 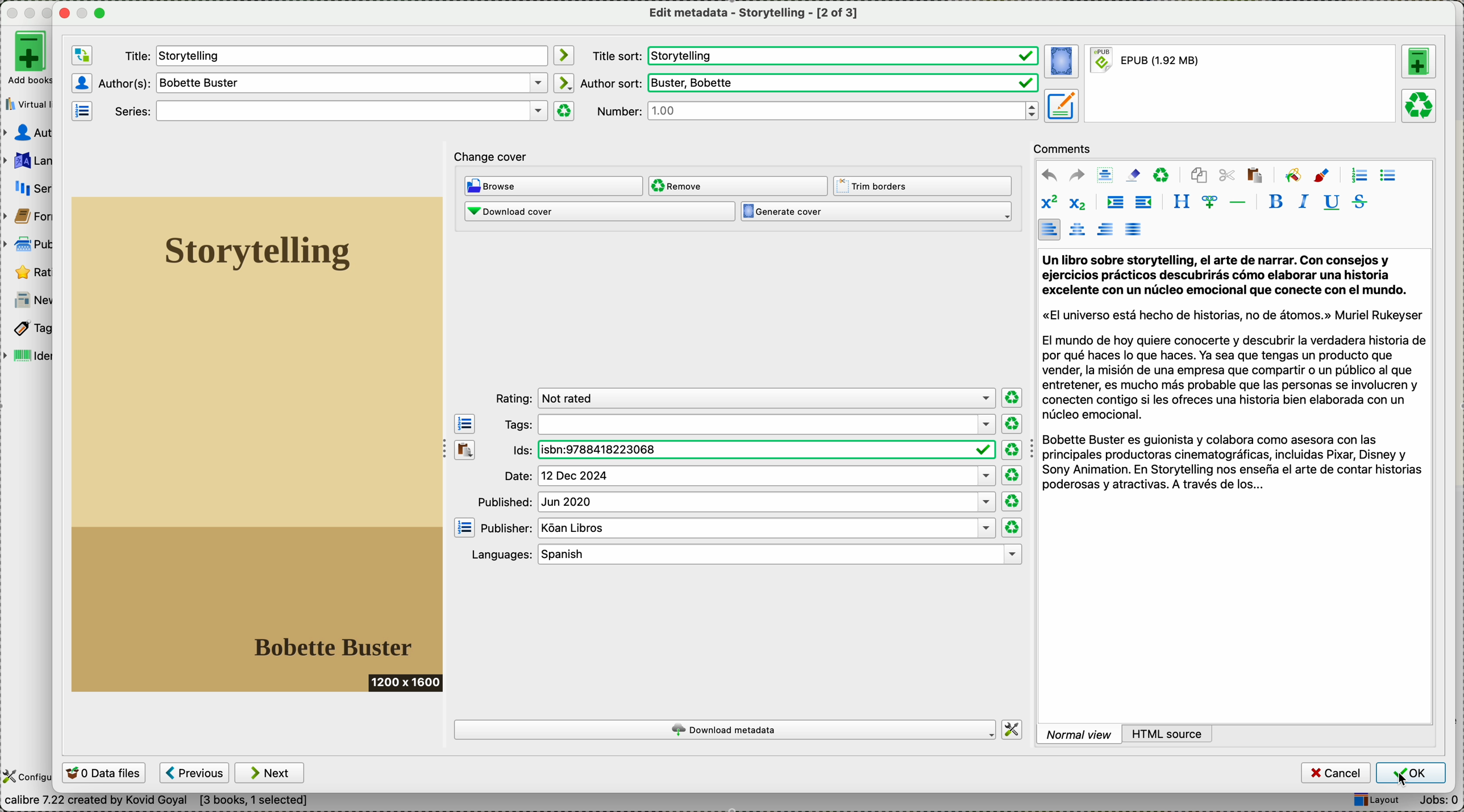 I want to click on synopsis, so click(x=1235, y=373).